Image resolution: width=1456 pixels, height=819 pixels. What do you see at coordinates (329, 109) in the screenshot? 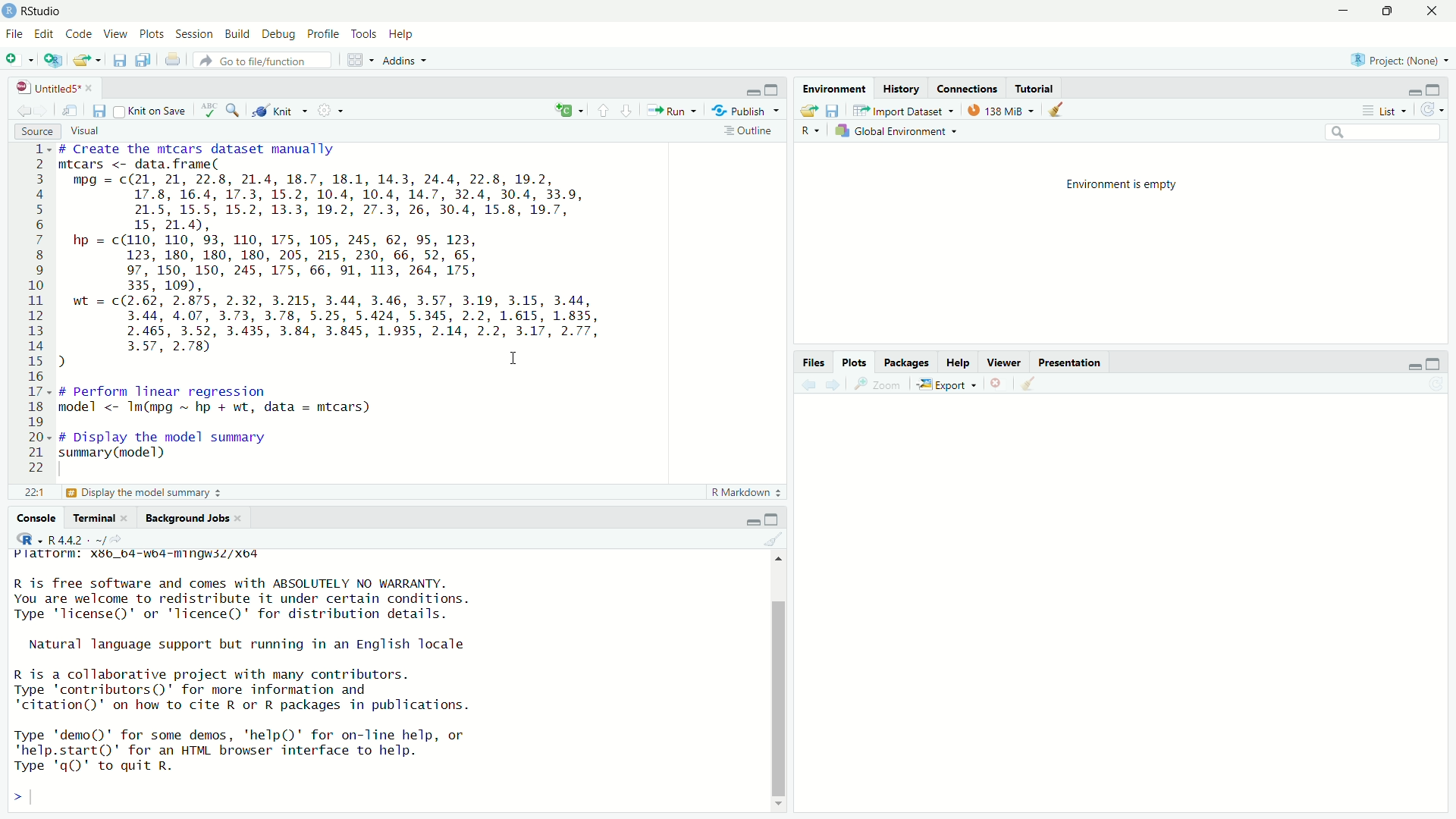
I see `settings` at bounding box center [329, 109].